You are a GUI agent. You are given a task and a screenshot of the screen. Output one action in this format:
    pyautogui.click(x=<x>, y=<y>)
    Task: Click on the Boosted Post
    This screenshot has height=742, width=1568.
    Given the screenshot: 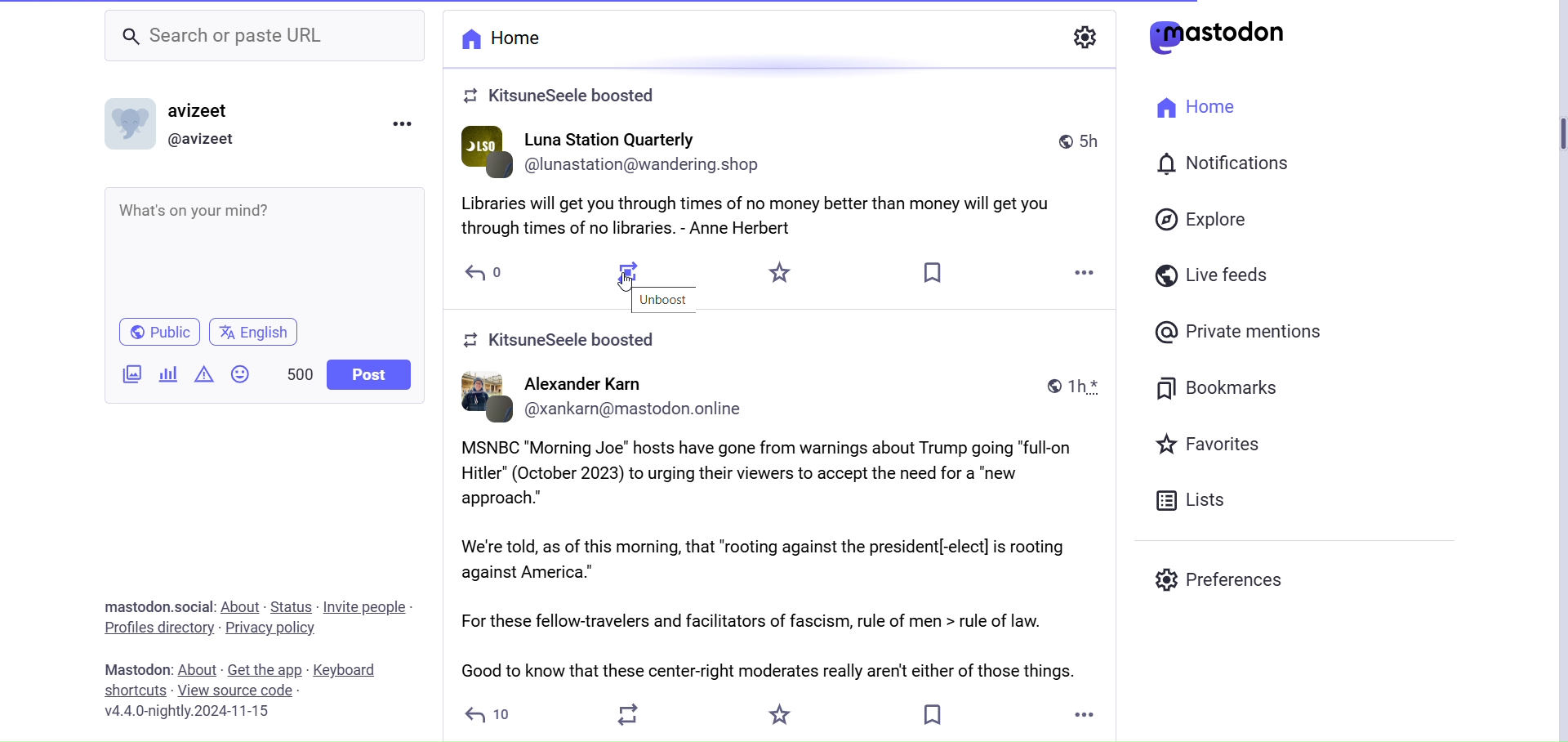 What is the action you would take?
    pyautogui.click(x=640, y=271)
    